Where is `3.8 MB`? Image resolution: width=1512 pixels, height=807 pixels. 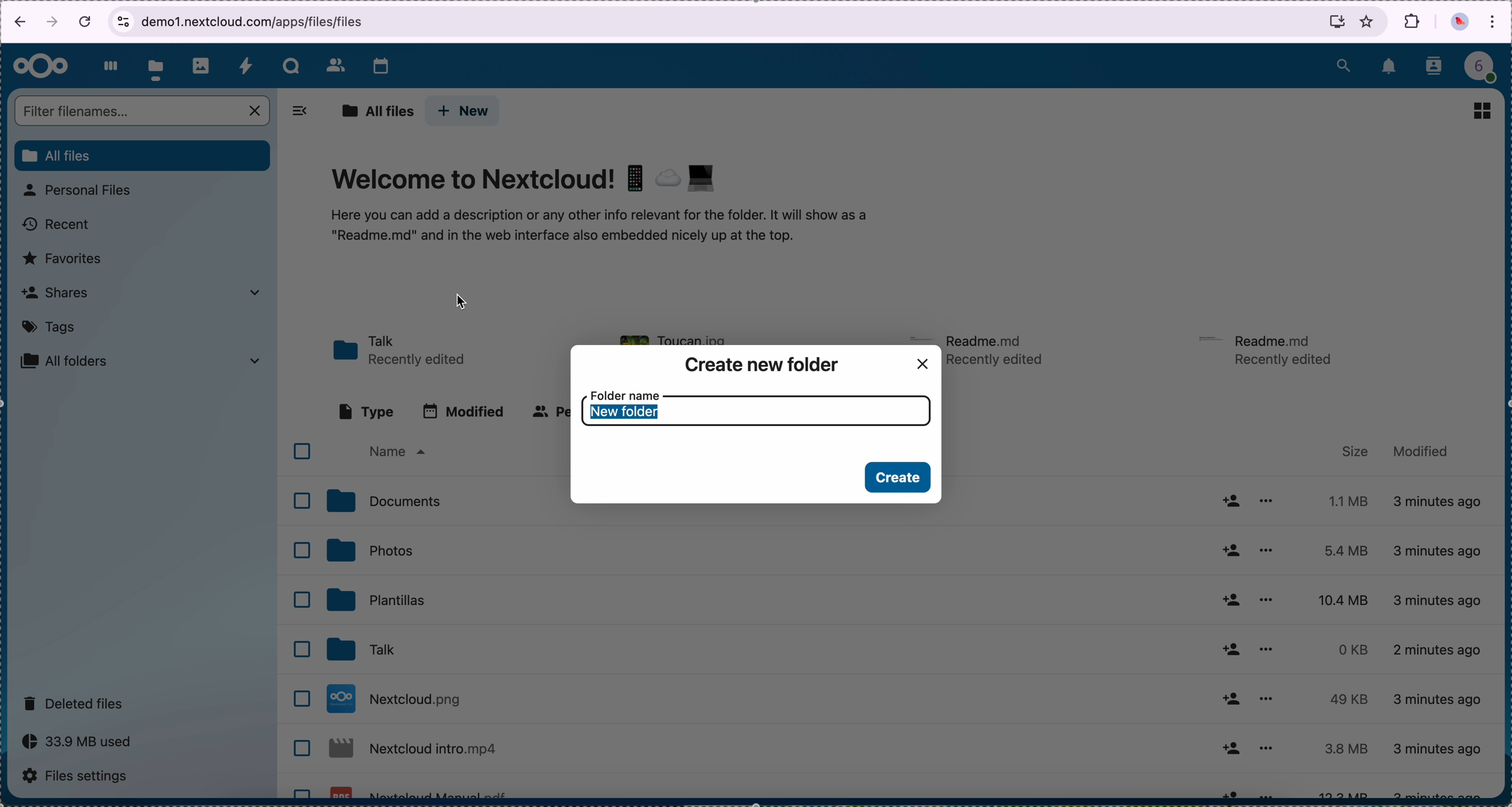
3.8 MB is located at coordinates (1343, 750).